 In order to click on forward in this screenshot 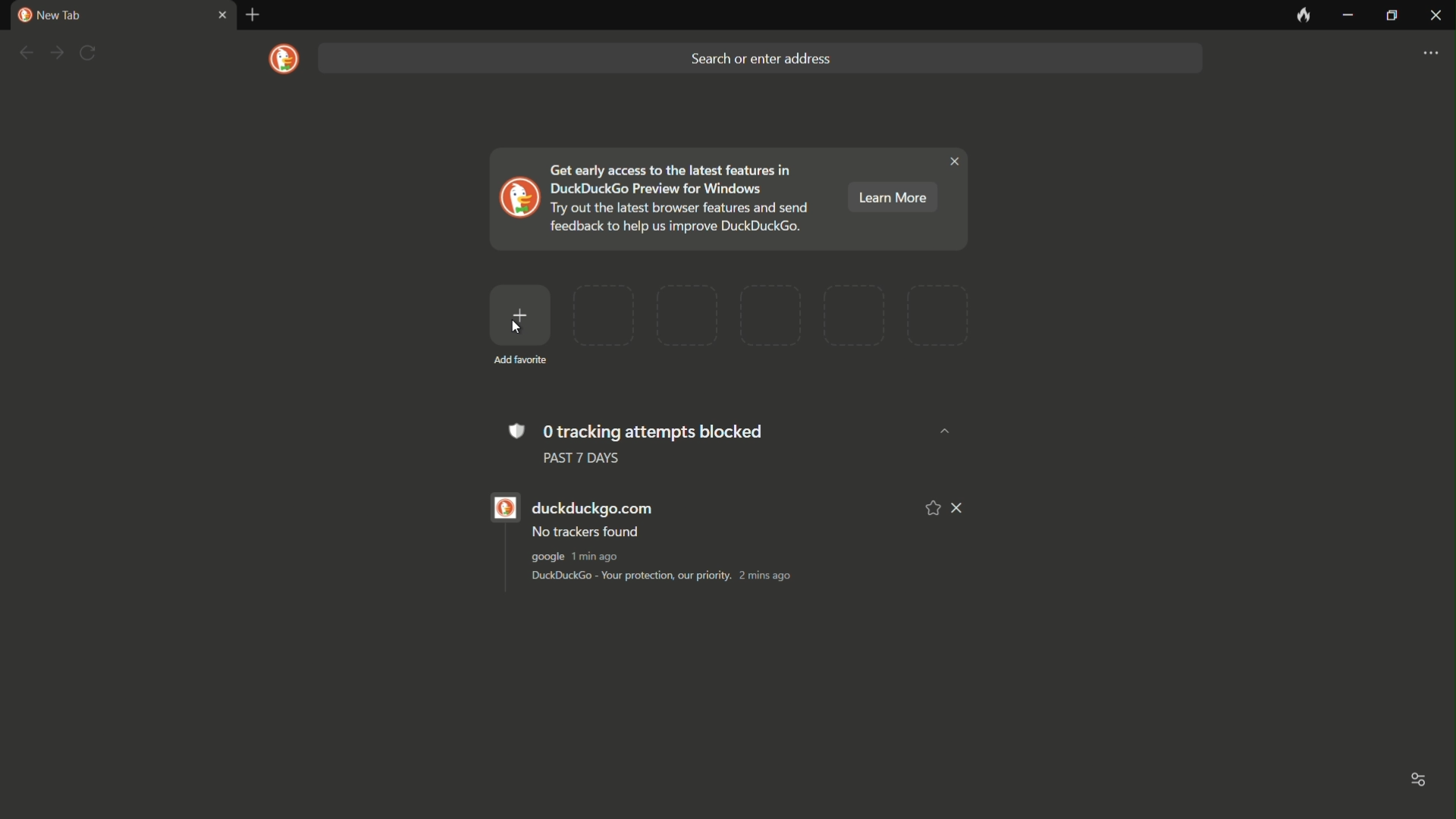, I will do `click(56, 54)`.